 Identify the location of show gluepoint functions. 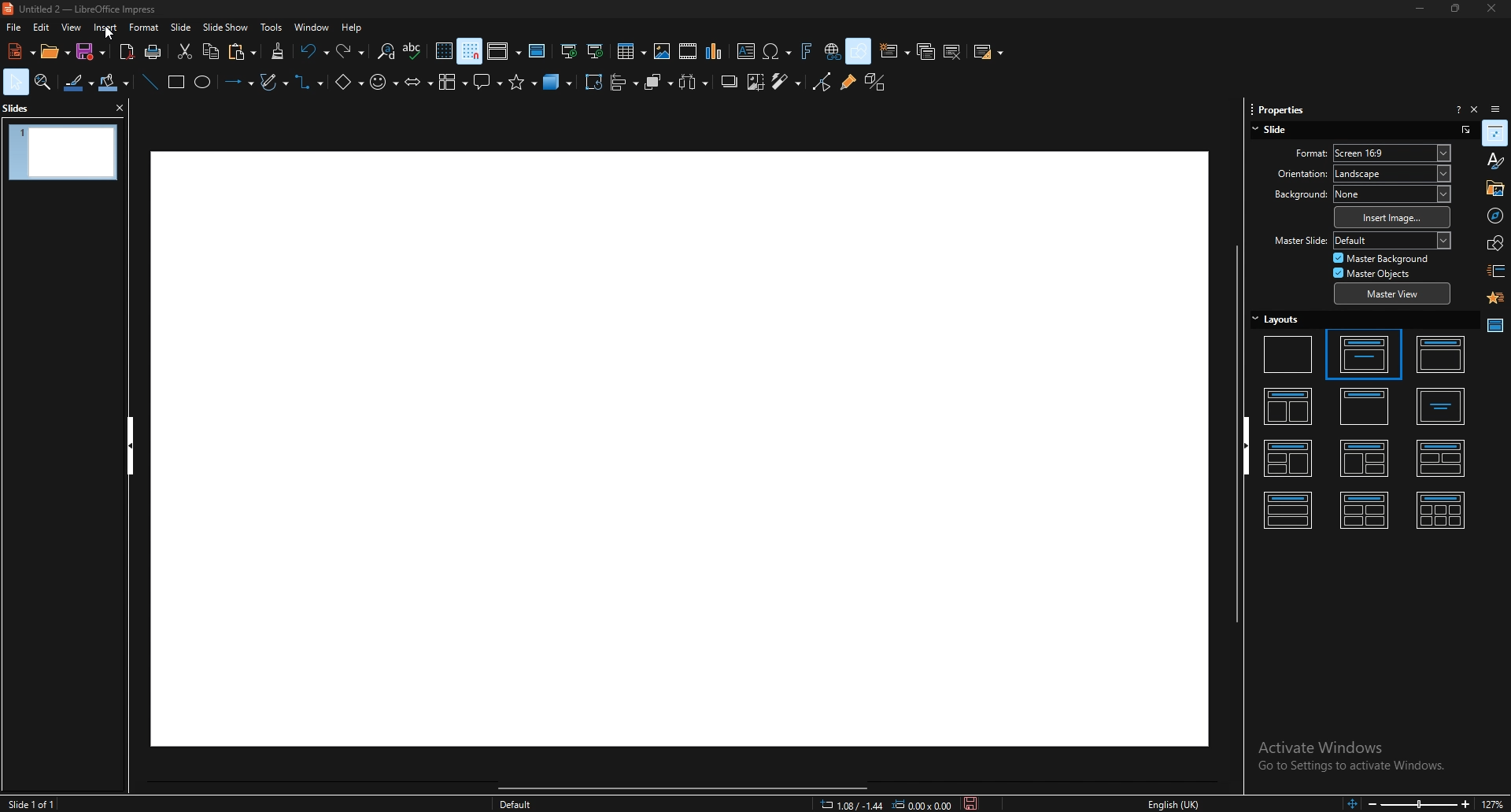
(846, 83).